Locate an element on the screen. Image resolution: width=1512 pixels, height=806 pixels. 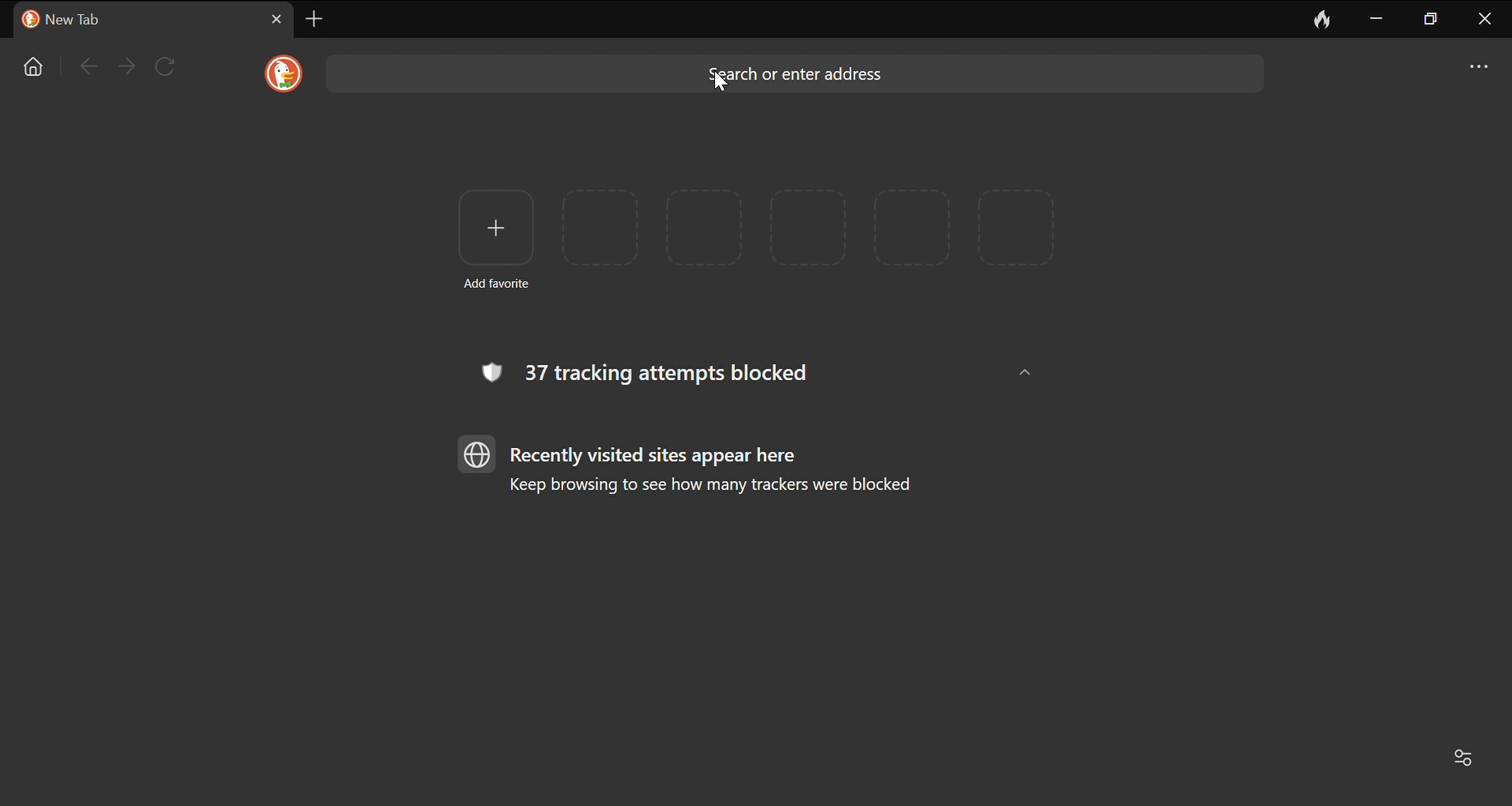
dropdown is located at coordinates (1019, 369).